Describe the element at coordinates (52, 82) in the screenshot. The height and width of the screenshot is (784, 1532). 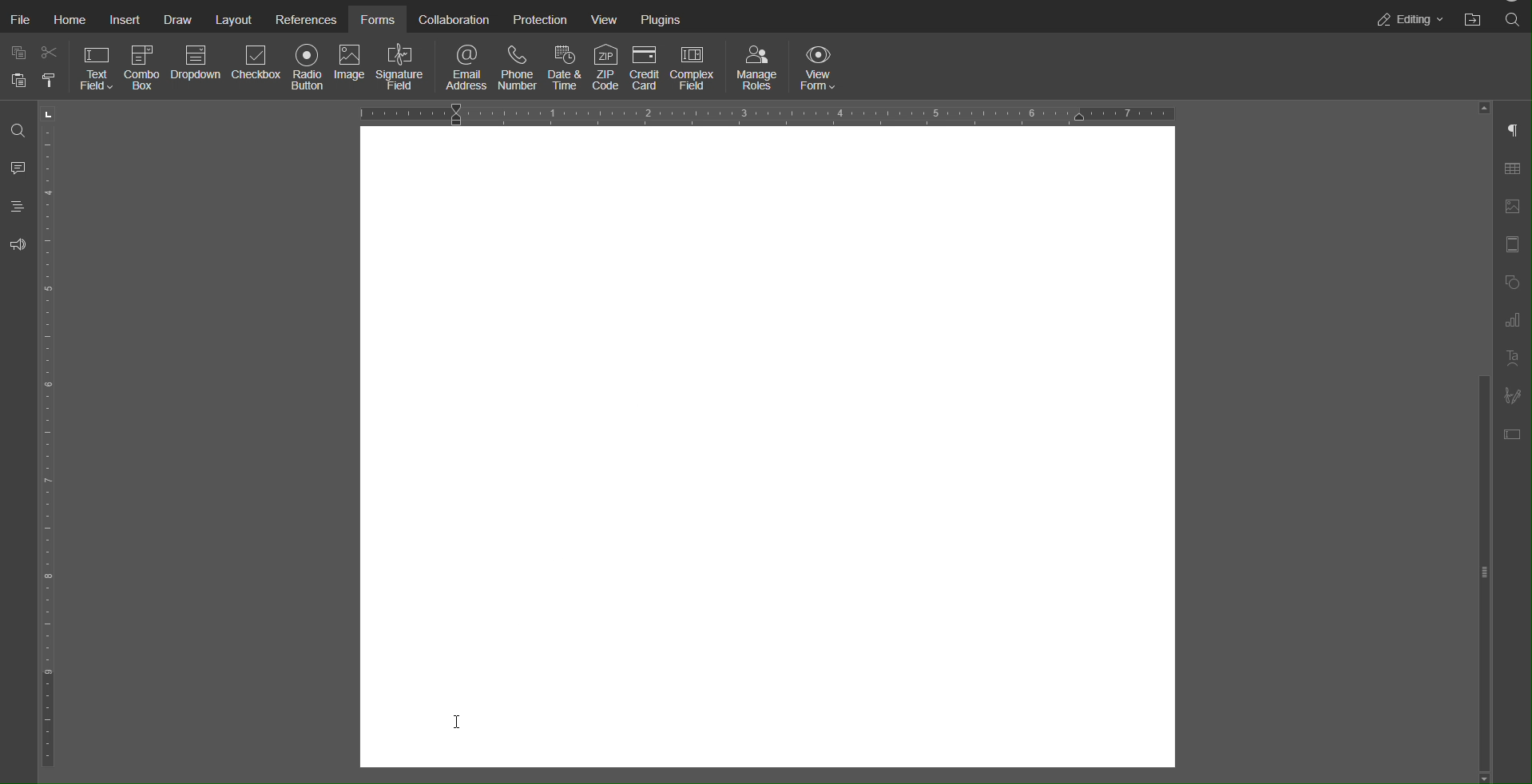
I see `copy style` at that location.